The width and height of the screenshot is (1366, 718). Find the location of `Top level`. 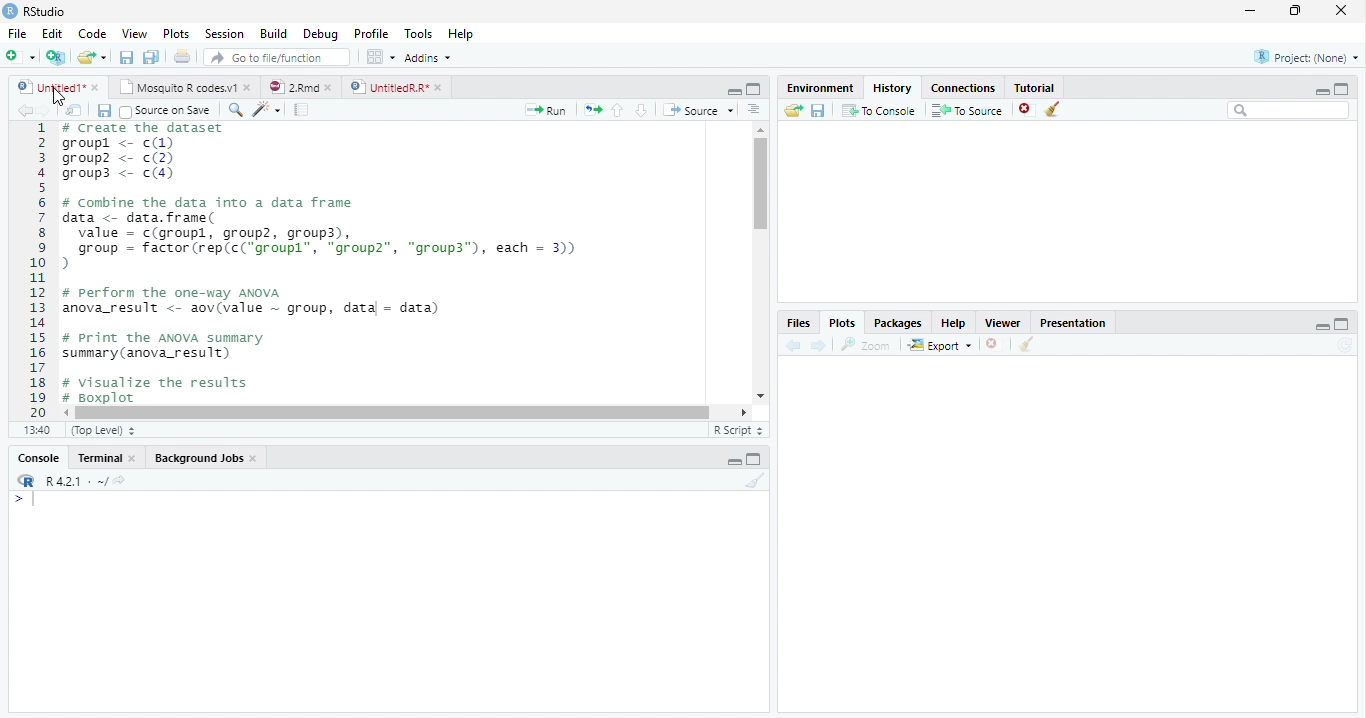

Top level is located at coordinates (107, 433).